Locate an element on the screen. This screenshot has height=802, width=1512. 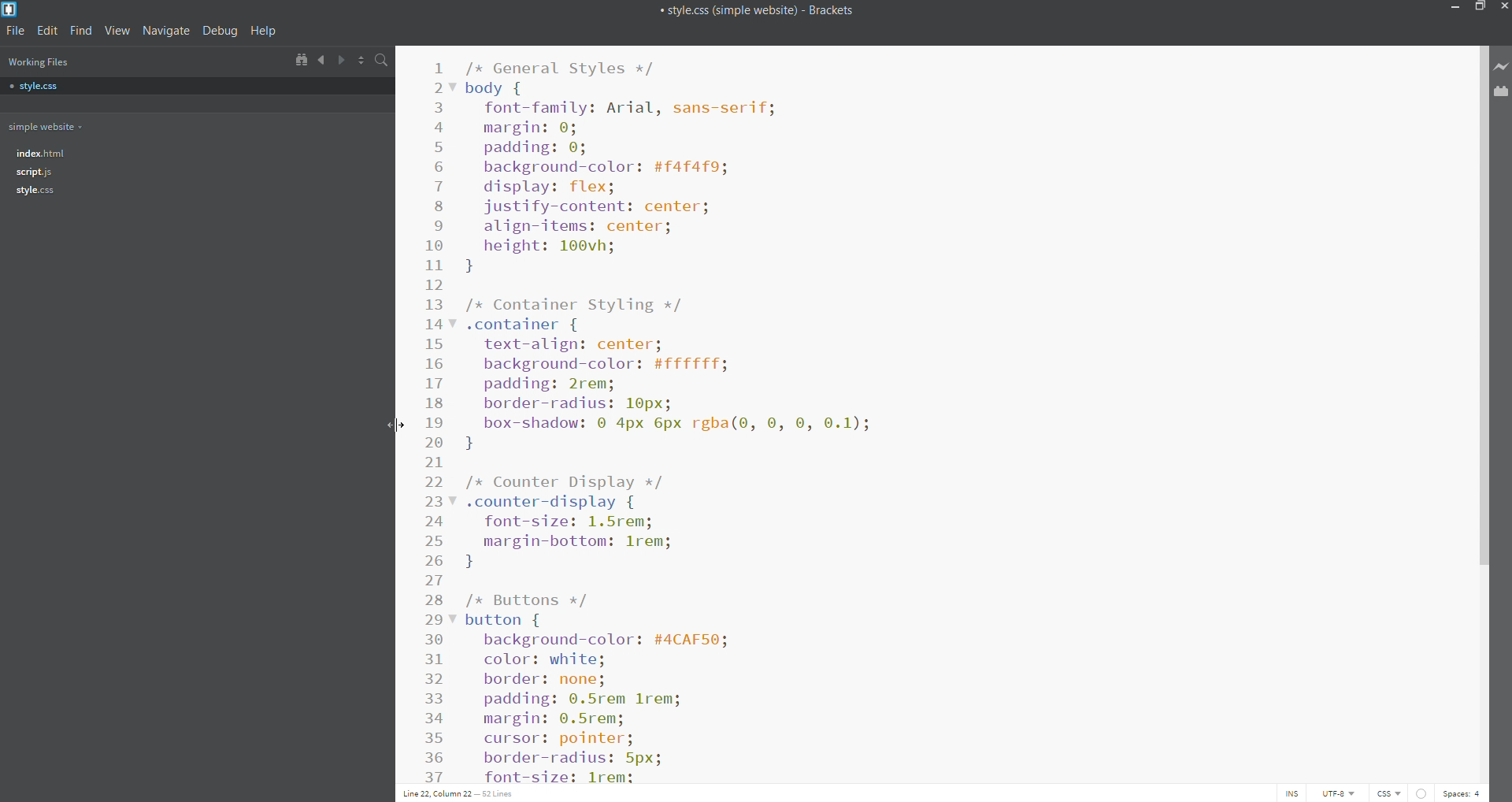
brackets is located at coordinates (12, 9).